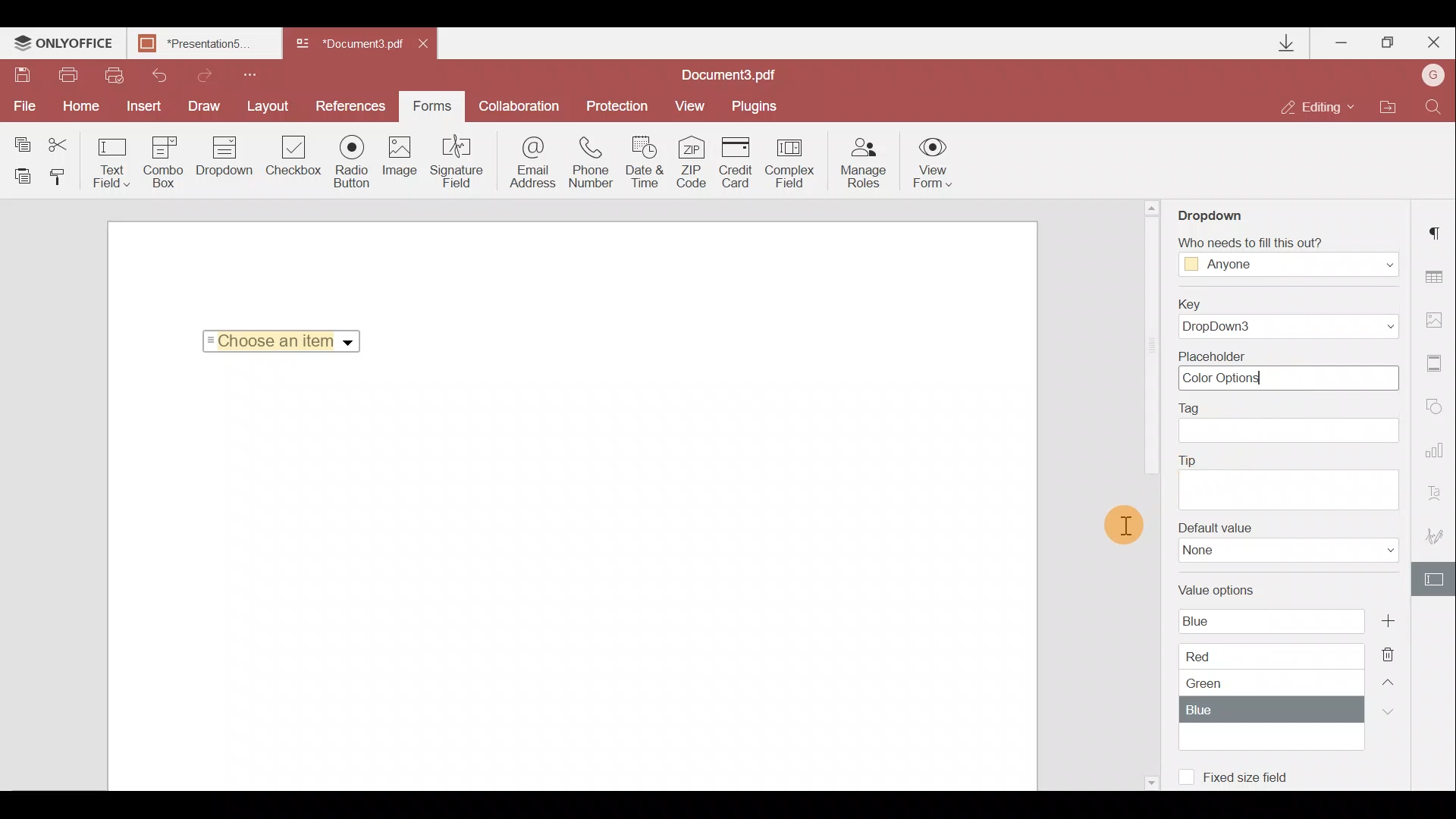 Image resolution: width=1456 pixels, height=819 pixels. I want to click on Dropdown, so click(350, 343).